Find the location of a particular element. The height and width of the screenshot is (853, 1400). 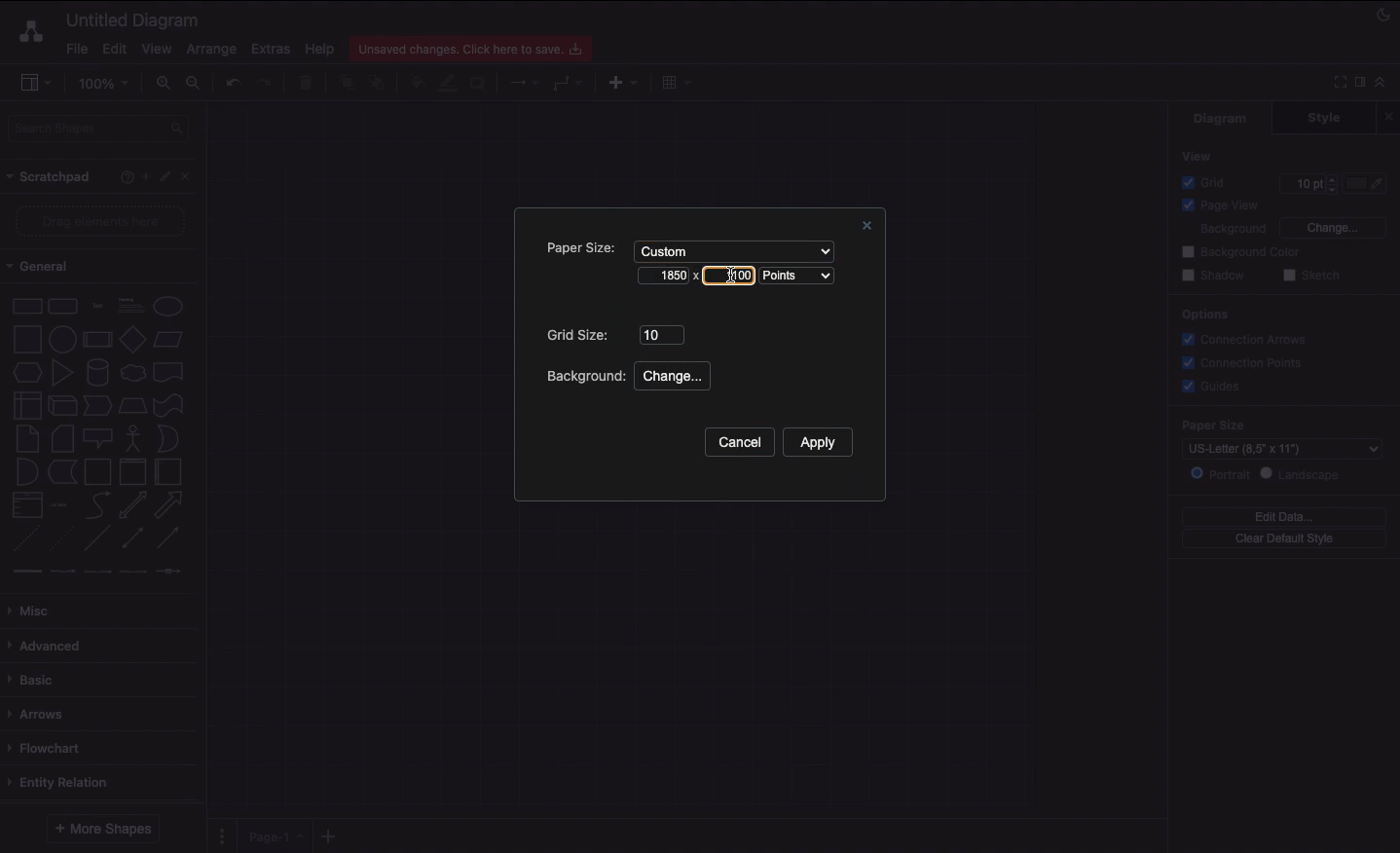

Background is located at coordinates (584, 376).